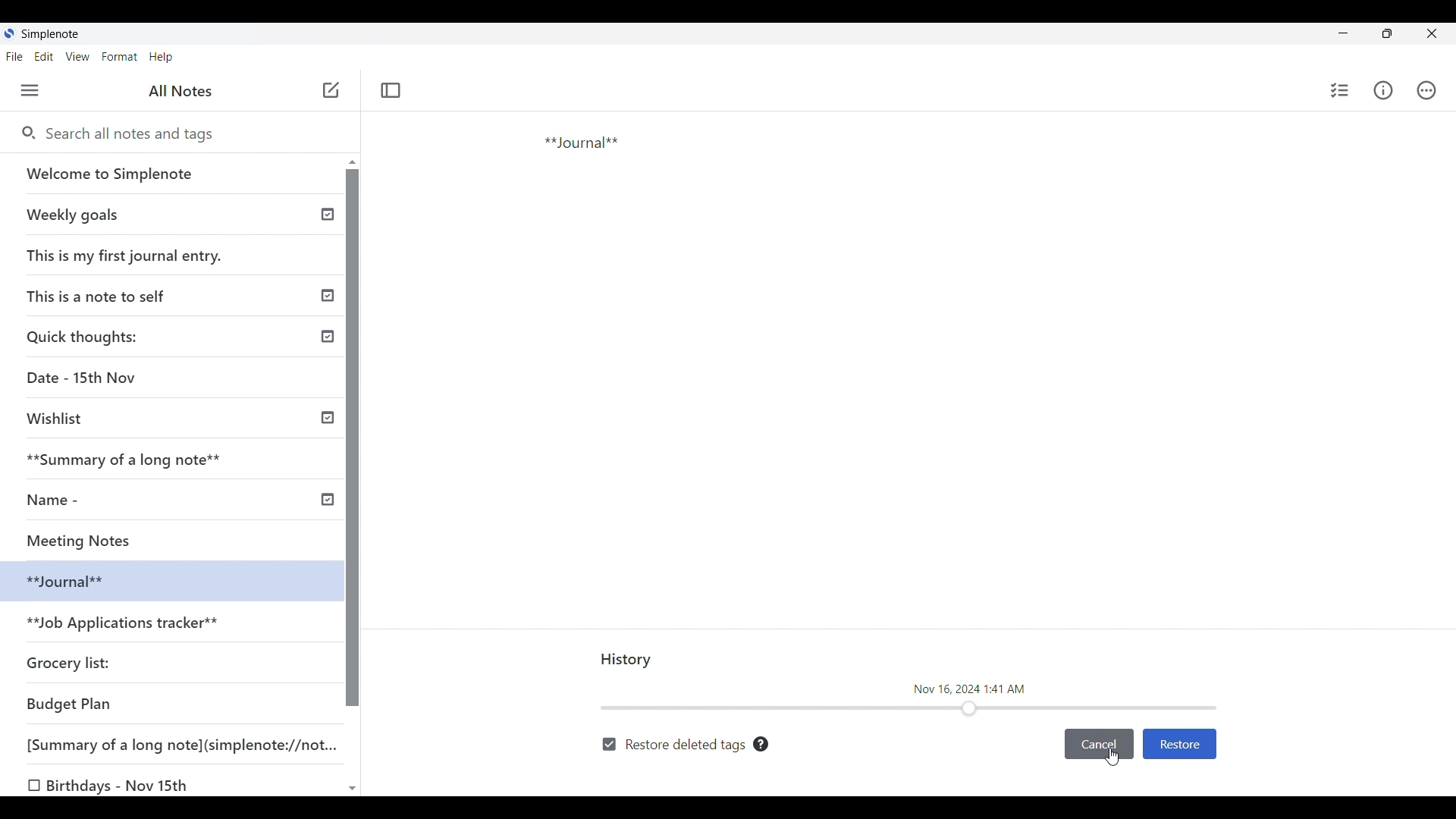  I want to click on This is my first journal entry., so click(126, 255).